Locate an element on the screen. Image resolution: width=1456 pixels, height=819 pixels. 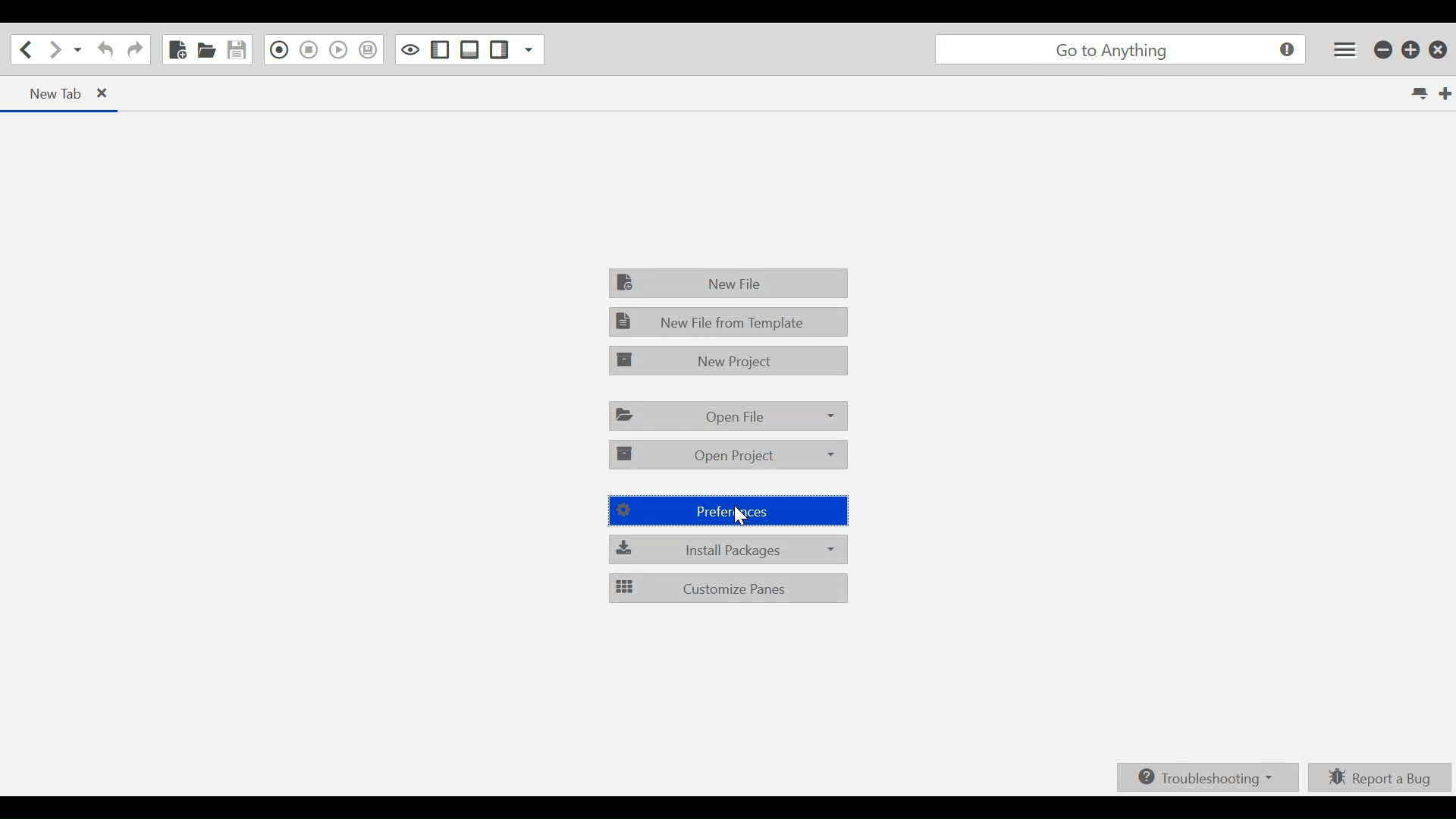
New File is located at coordinates (177, 49).